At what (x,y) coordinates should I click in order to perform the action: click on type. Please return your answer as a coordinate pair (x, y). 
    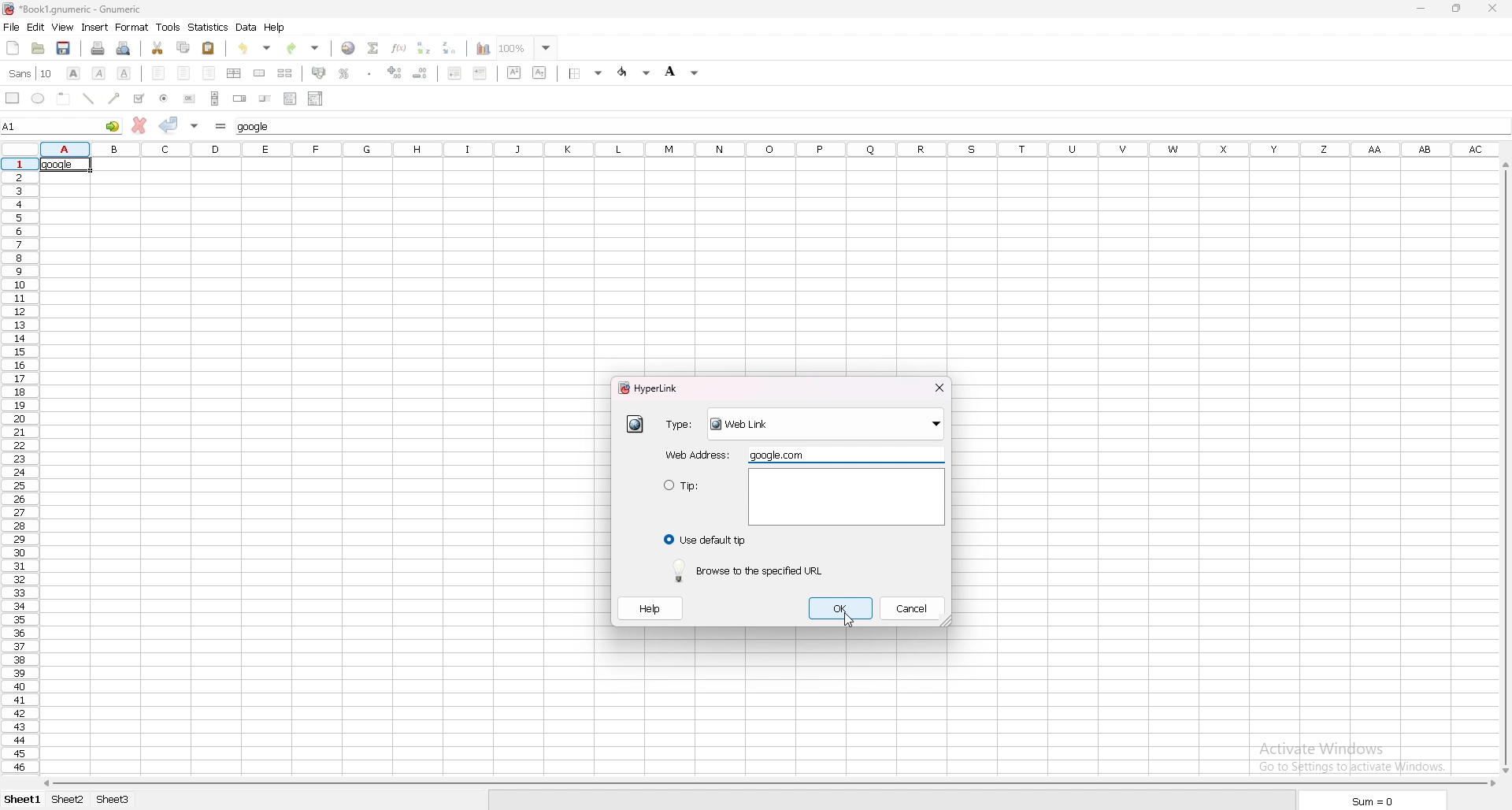
    Looking at the image, I should click on (682, 425).